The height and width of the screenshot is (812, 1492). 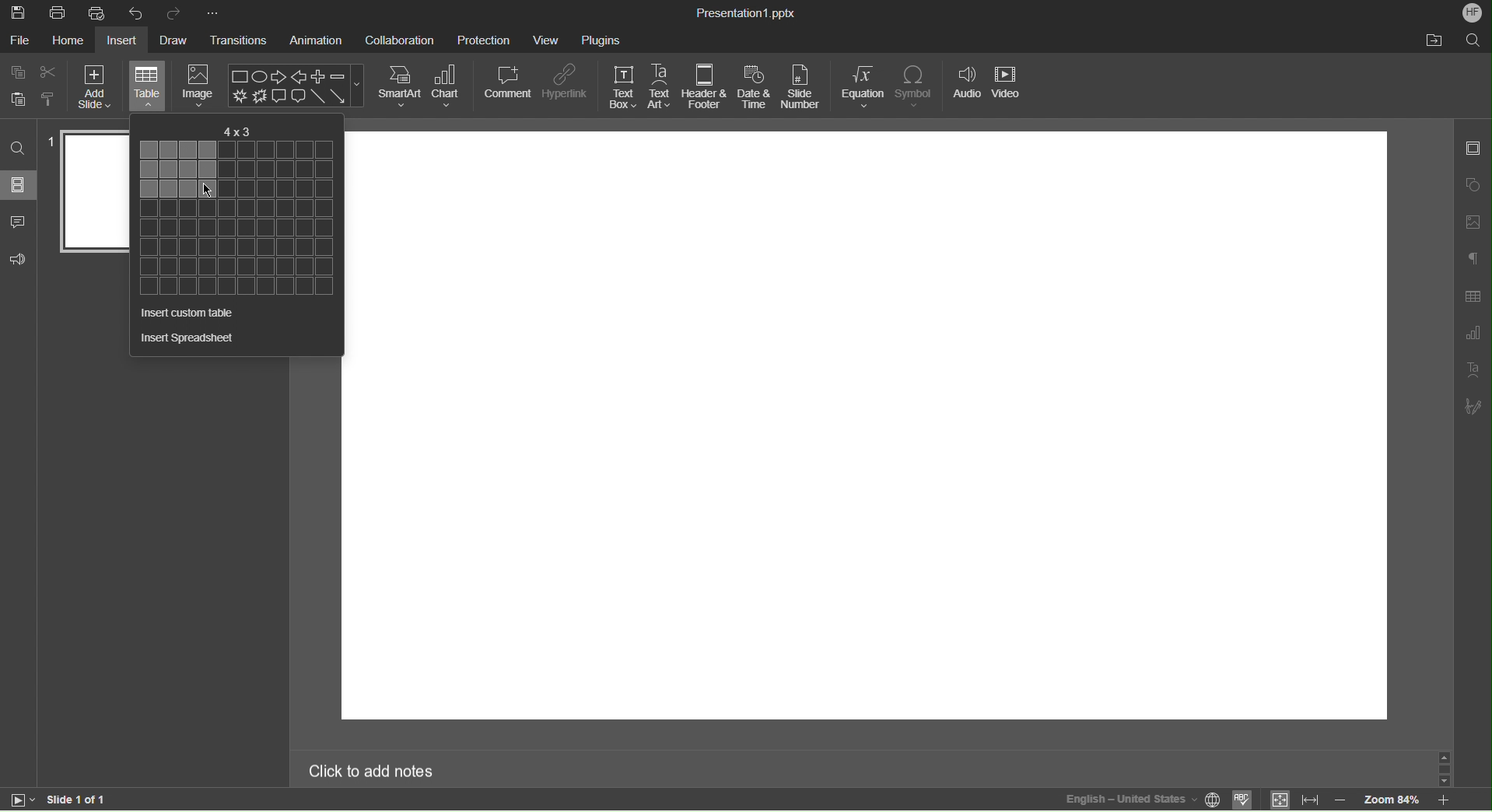 What do you see at coordinates (219, 13) in the screenshot?
I see `More` at bounding box center [219, 13].